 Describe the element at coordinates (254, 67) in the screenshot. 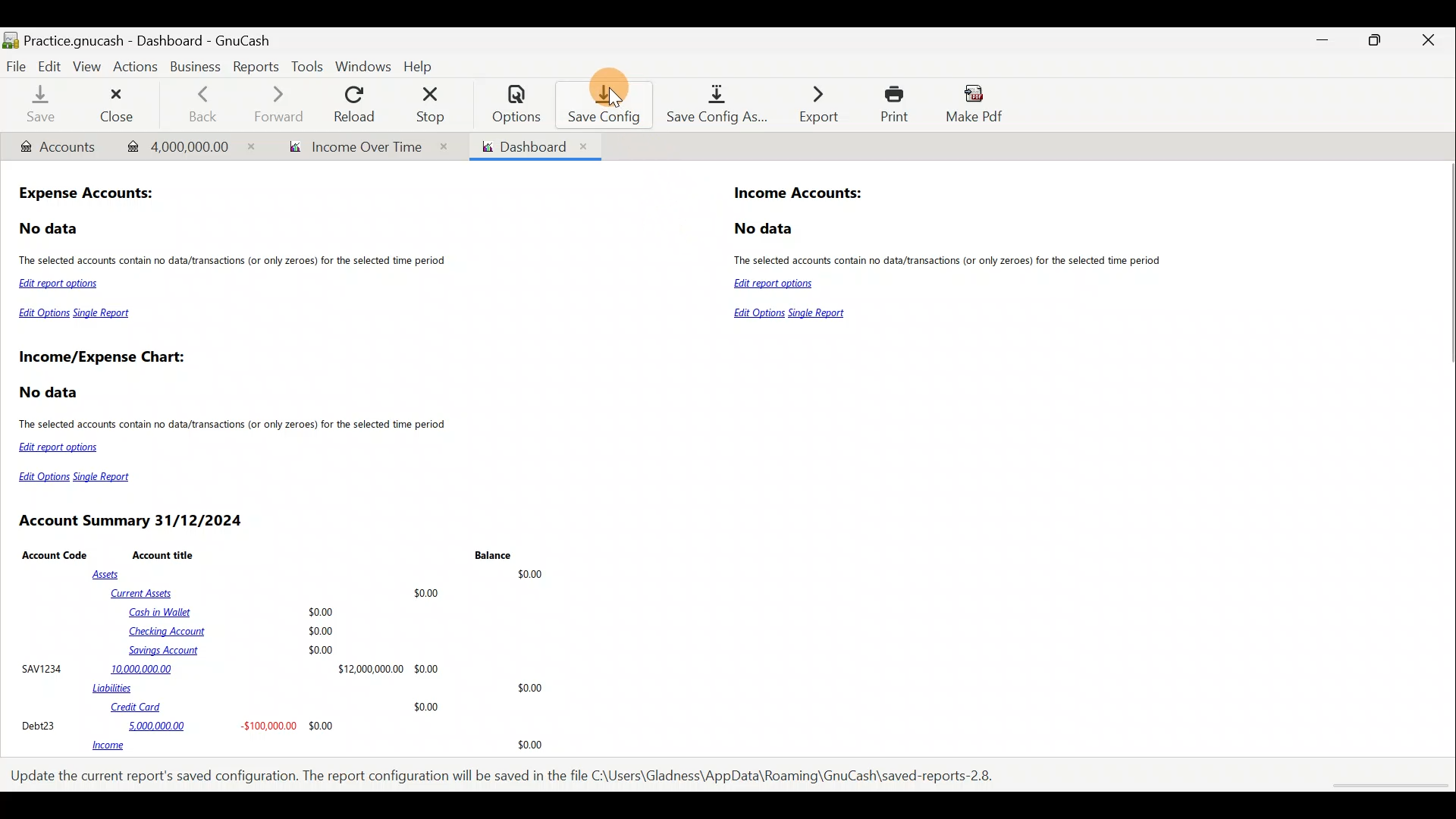

I see `Reports` at that location.